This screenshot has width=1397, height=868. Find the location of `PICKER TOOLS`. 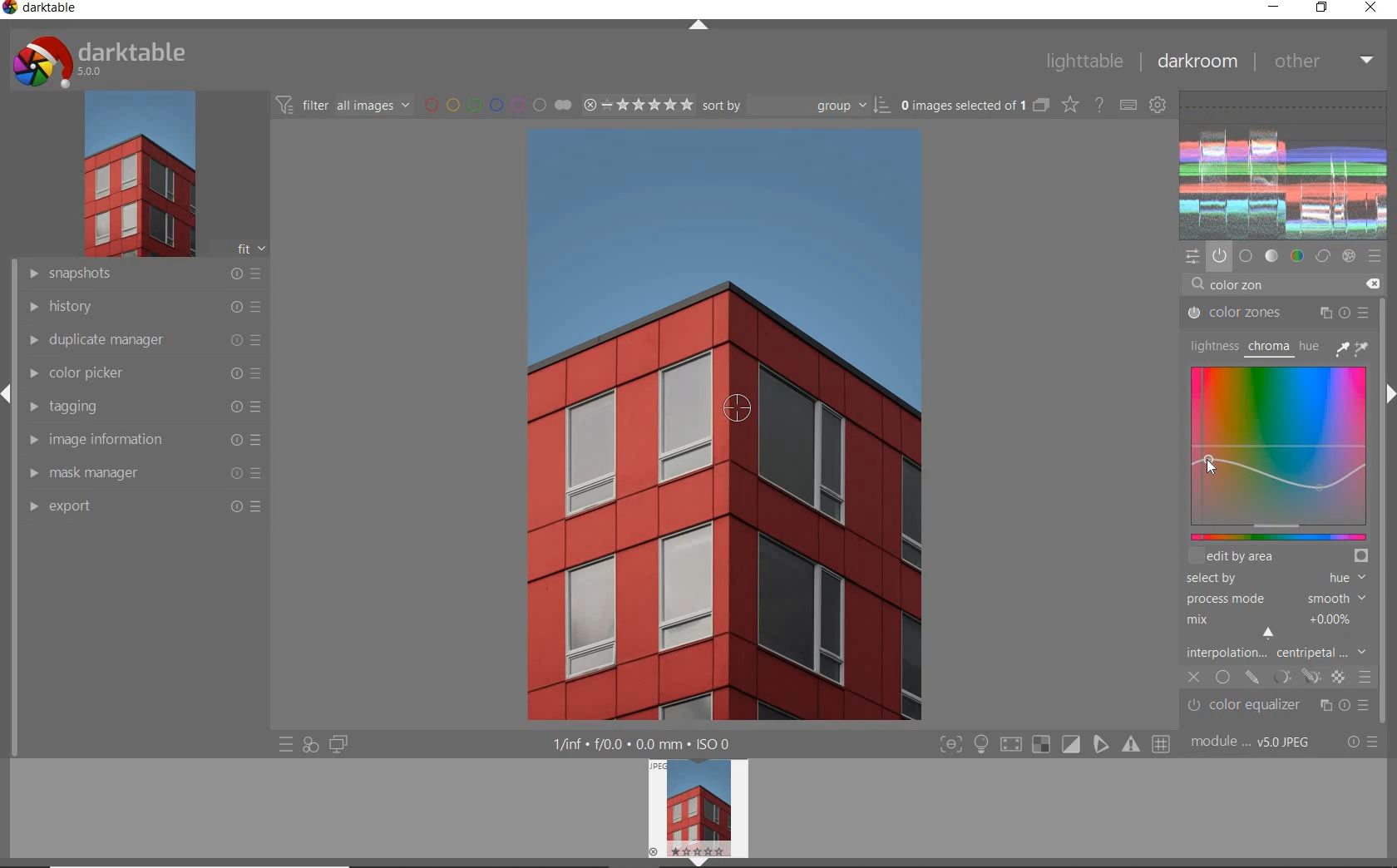

PICKER TOOLS is located at coordinates (1354, 348).